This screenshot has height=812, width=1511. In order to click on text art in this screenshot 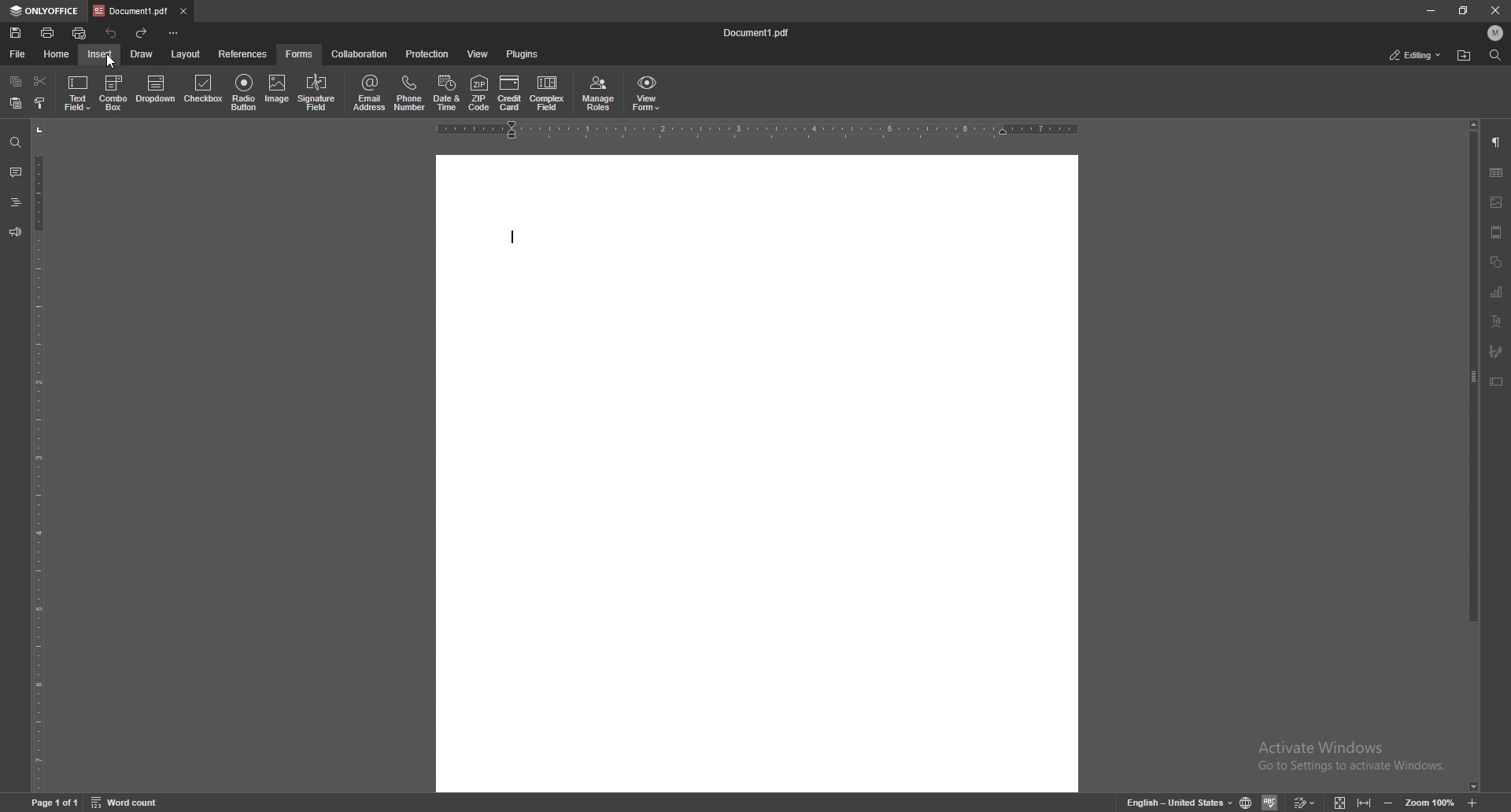, I will do `click(1497, 321)`.